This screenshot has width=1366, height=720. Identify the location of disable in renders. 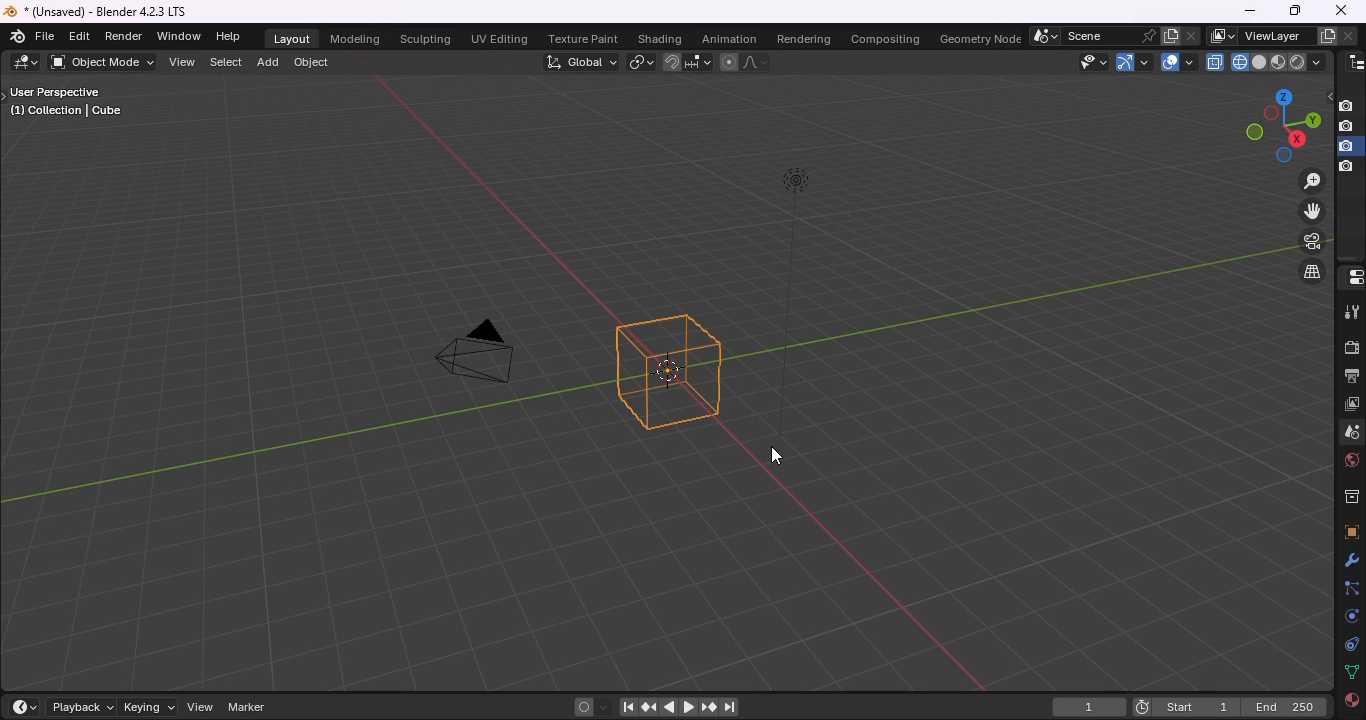
(1348, 126).